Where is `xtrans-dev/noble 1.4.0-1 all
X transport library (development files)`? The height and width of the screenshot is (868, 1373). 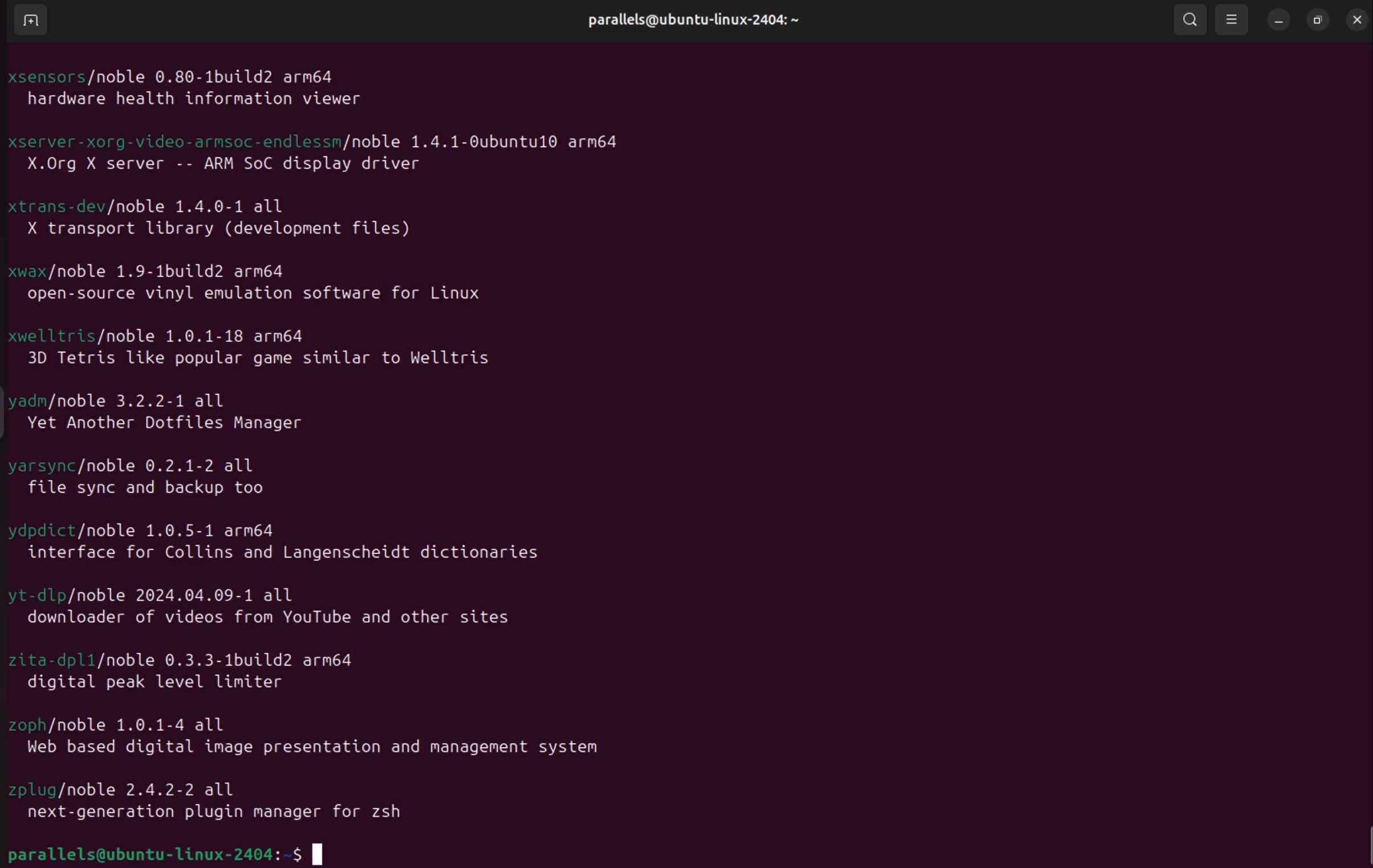
xtrans-dev/noble 1.4.0-1 all
X transport library (development files) is located at coordinates (239, 221).